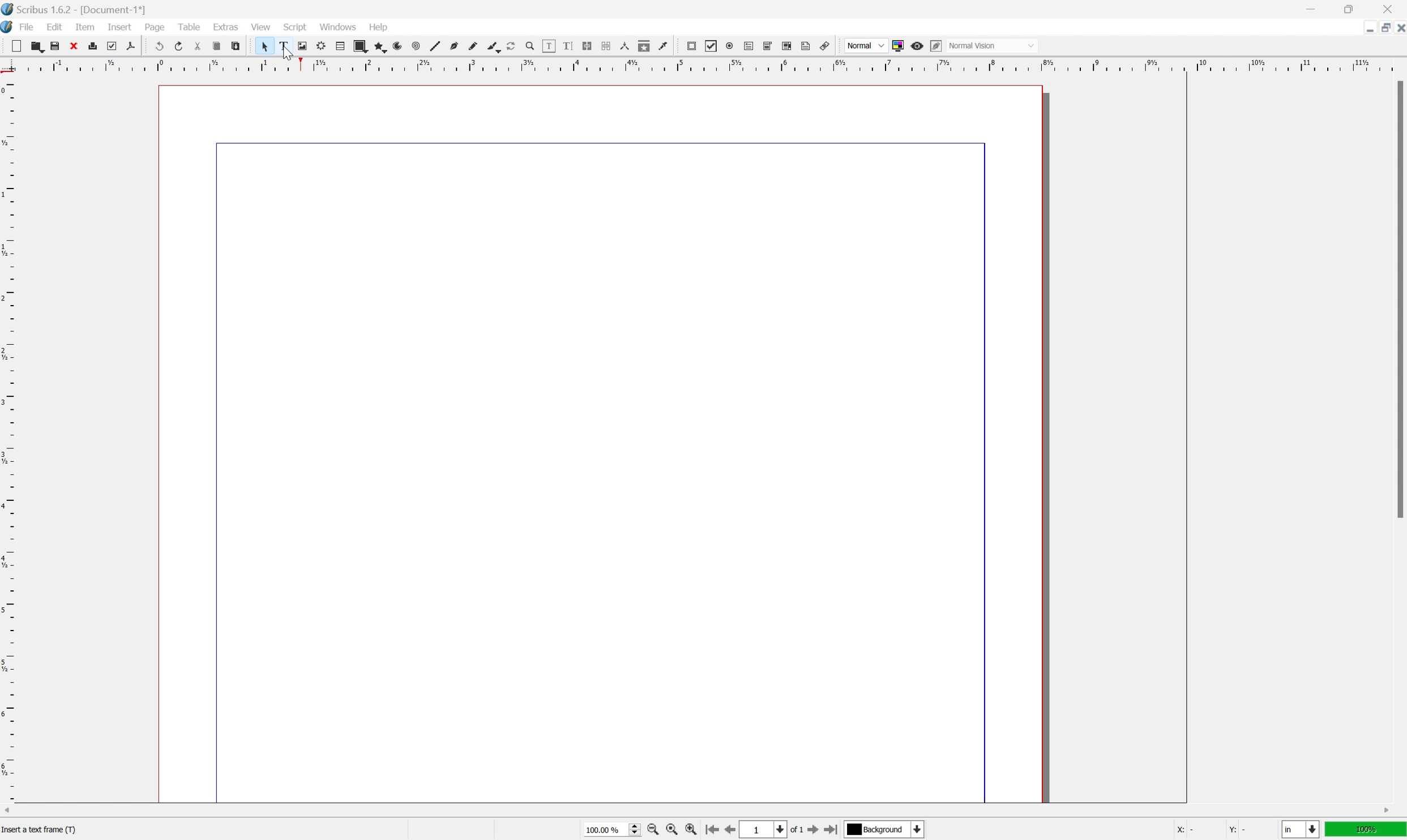  Describe the element at coordinates (669, 830) in the screenshot. I see `zoom to 100%` at that location.